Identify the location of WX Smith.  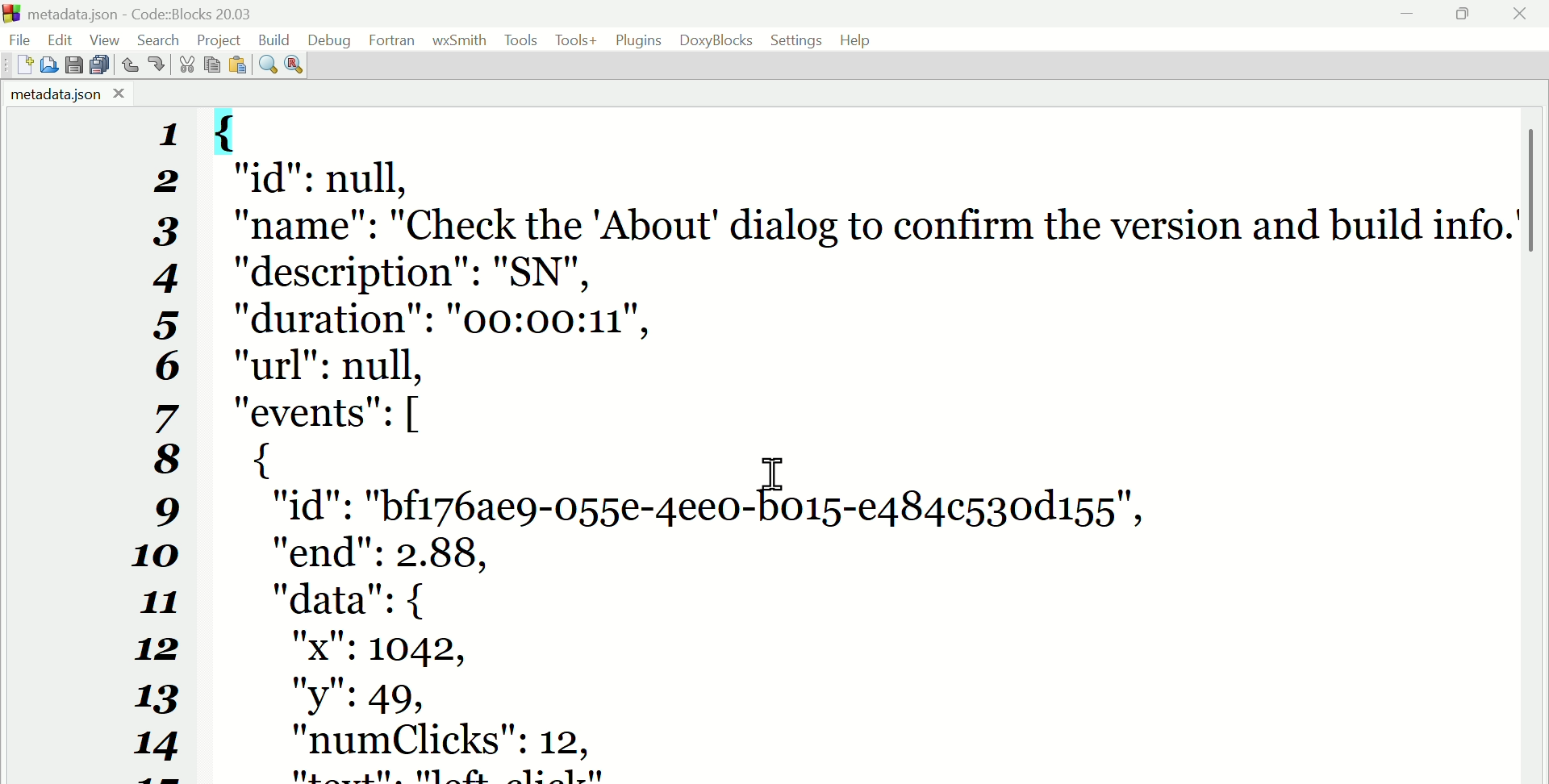
(460, 40).